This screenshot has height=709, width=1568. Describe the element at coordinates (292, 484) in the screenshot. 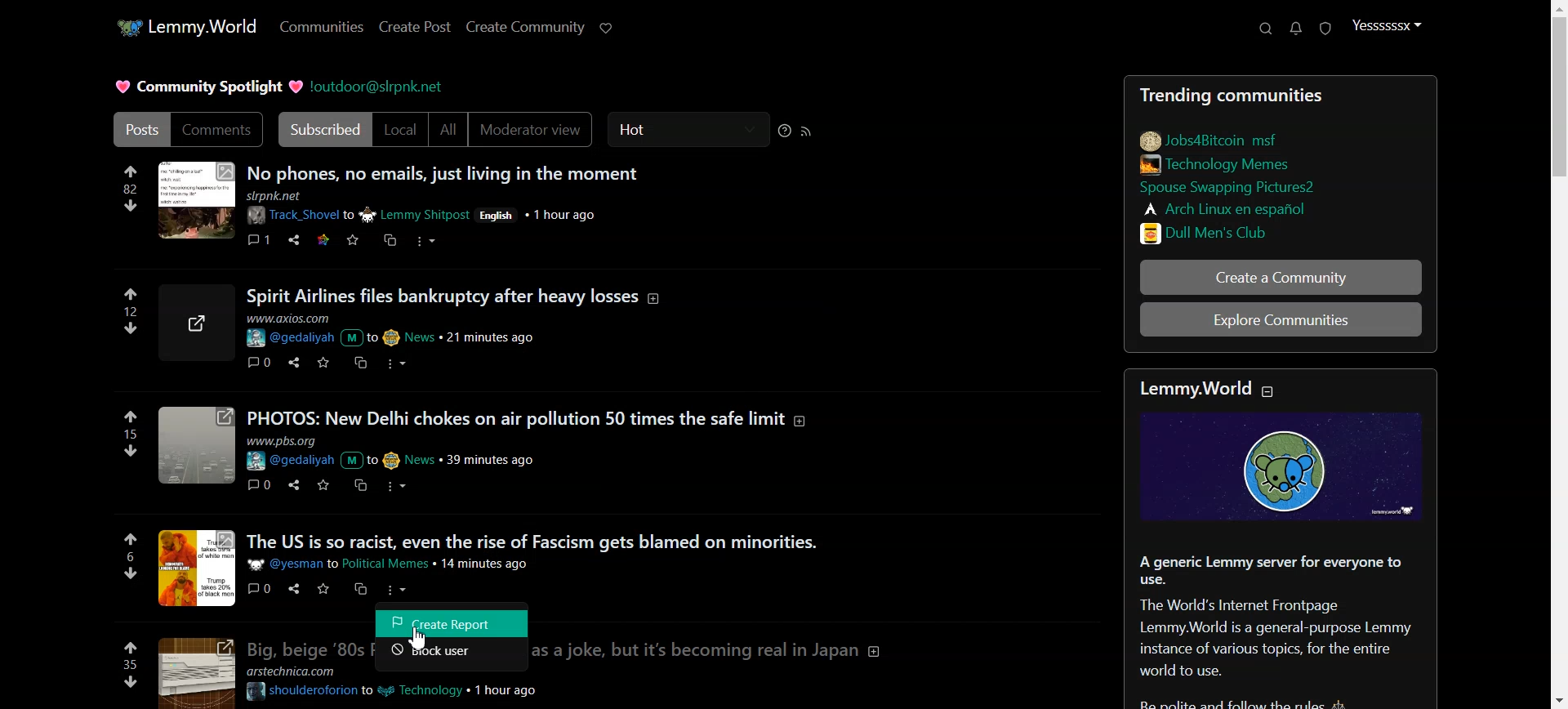

I see `share` at that location.